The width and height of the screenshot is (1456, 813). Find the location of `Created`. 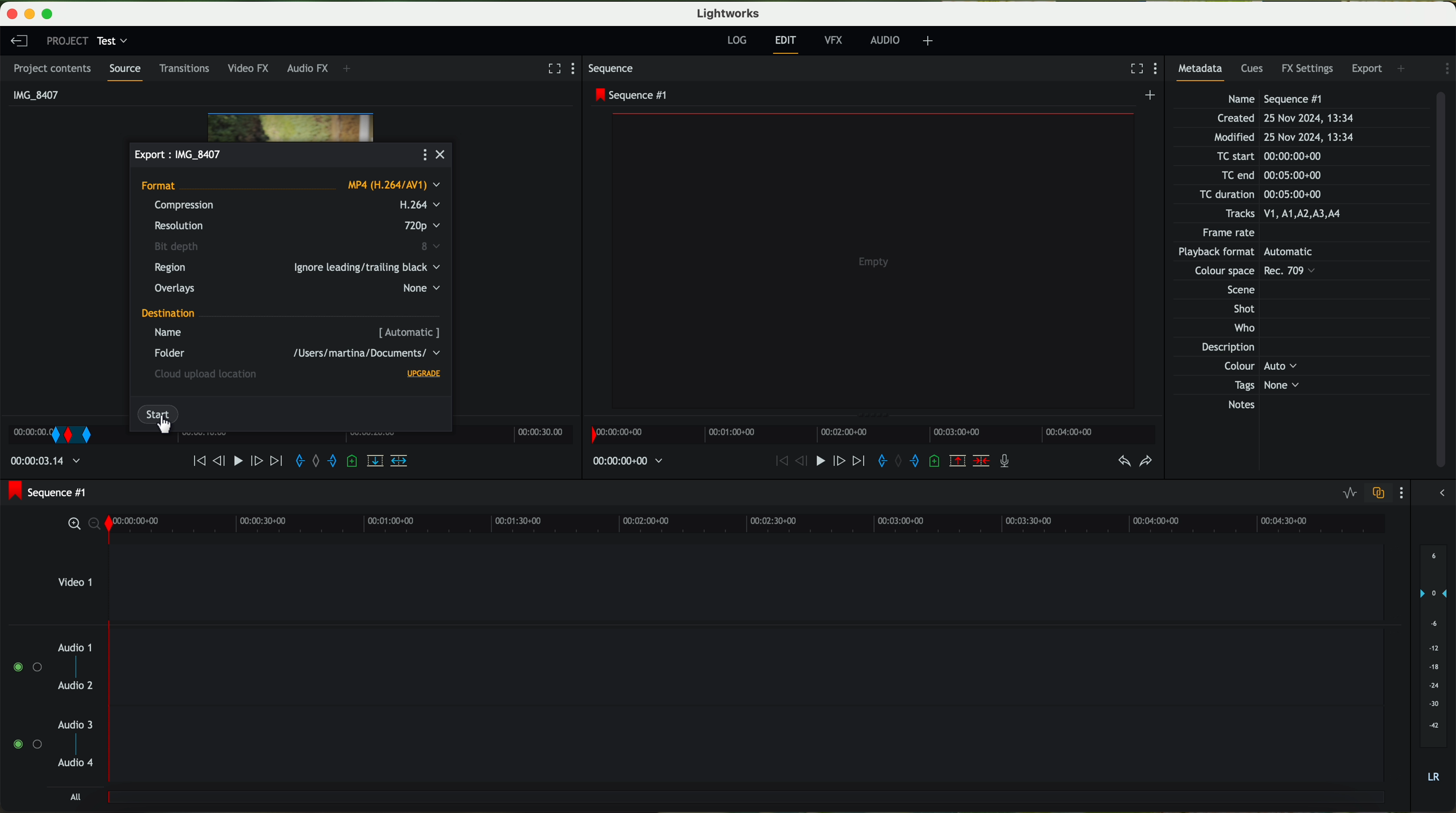

Created is located at coordinates (1285, 119).